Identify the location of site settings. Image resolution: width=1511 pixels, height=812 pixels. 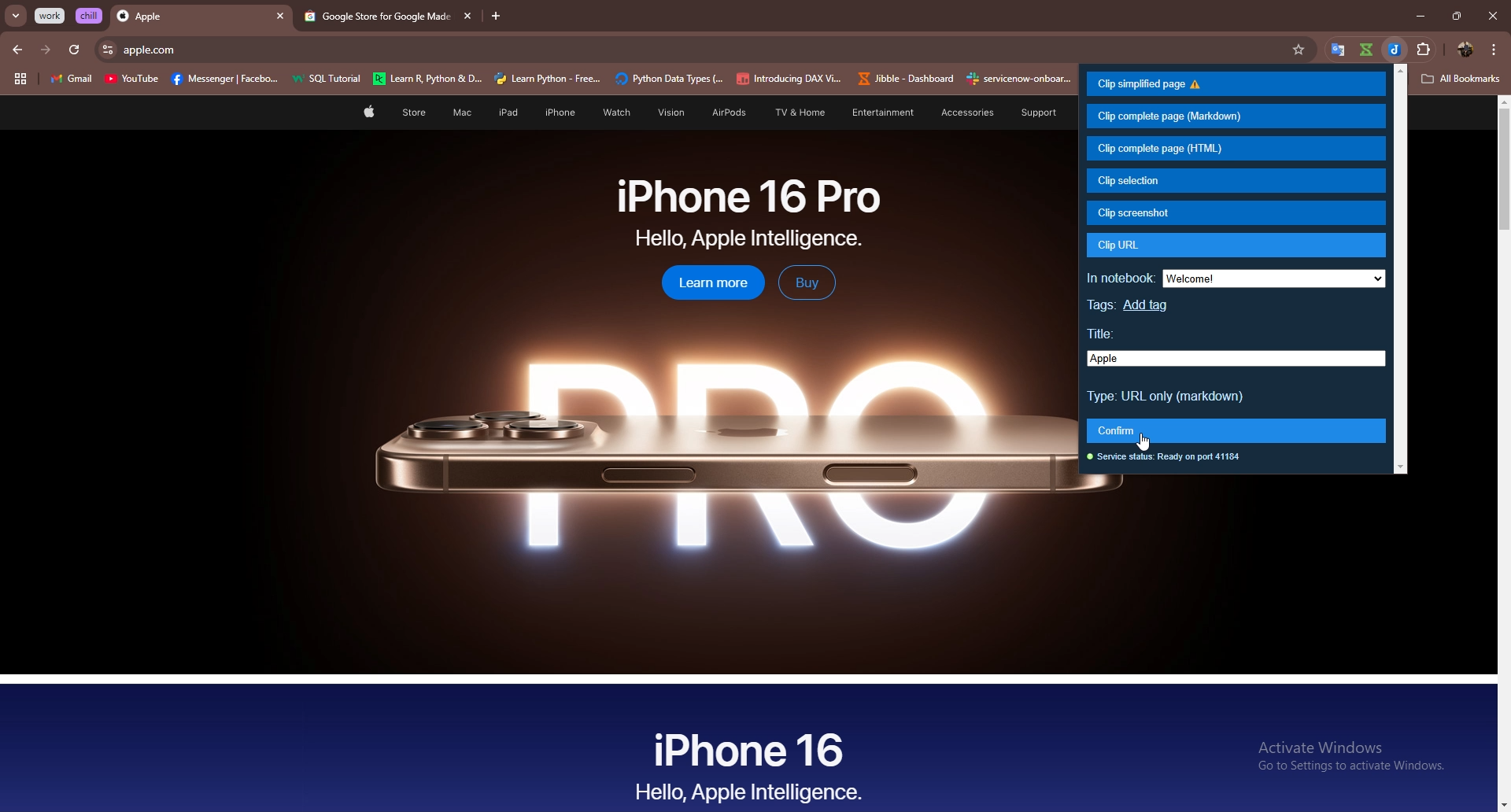
(106, 50).